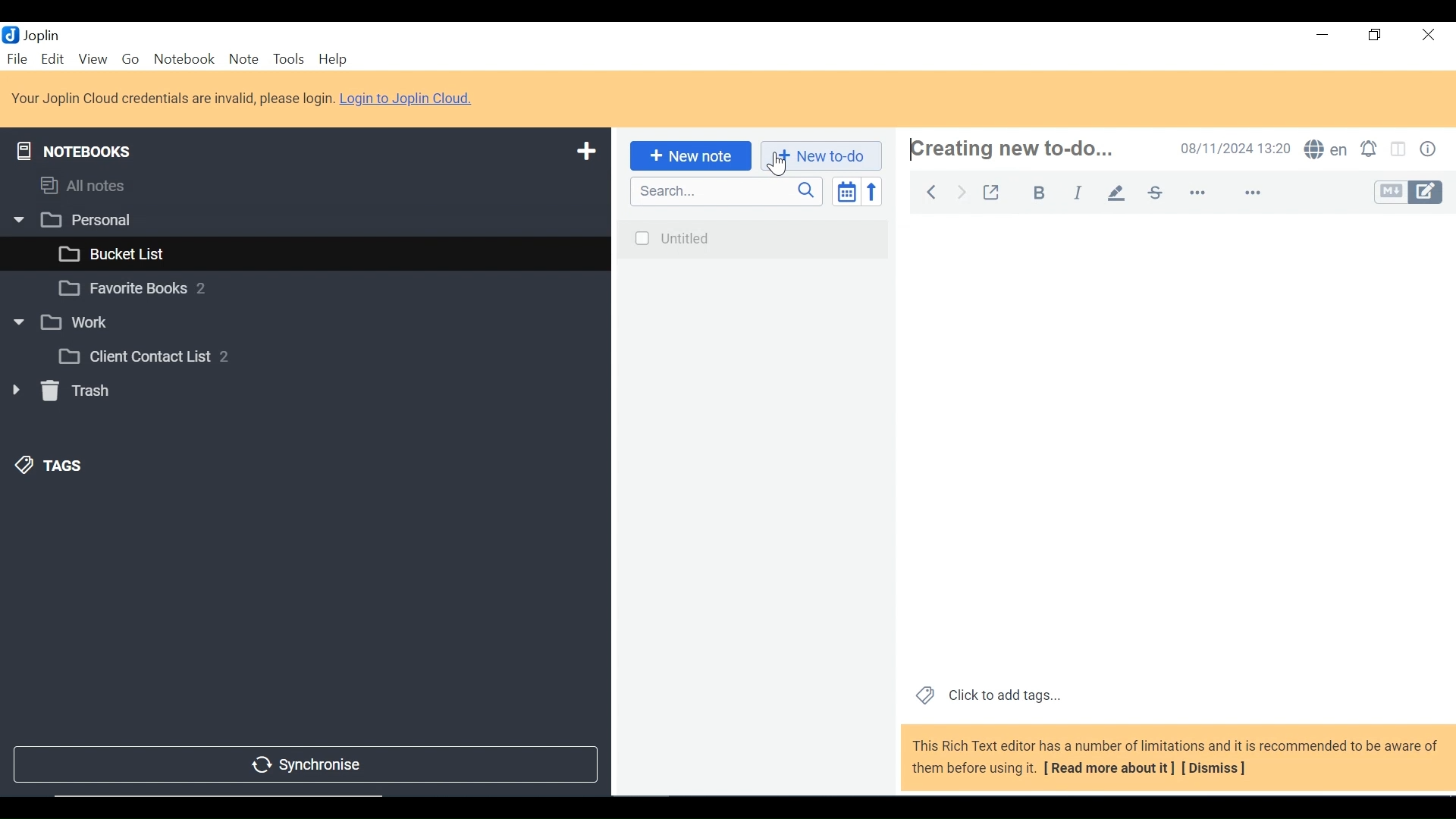 The height and width of the screenshot is (819, 1456). What do you see at coordinates (74, 148) in the screenshot?
I see `Notebooks` at bounding box center [74, 148].